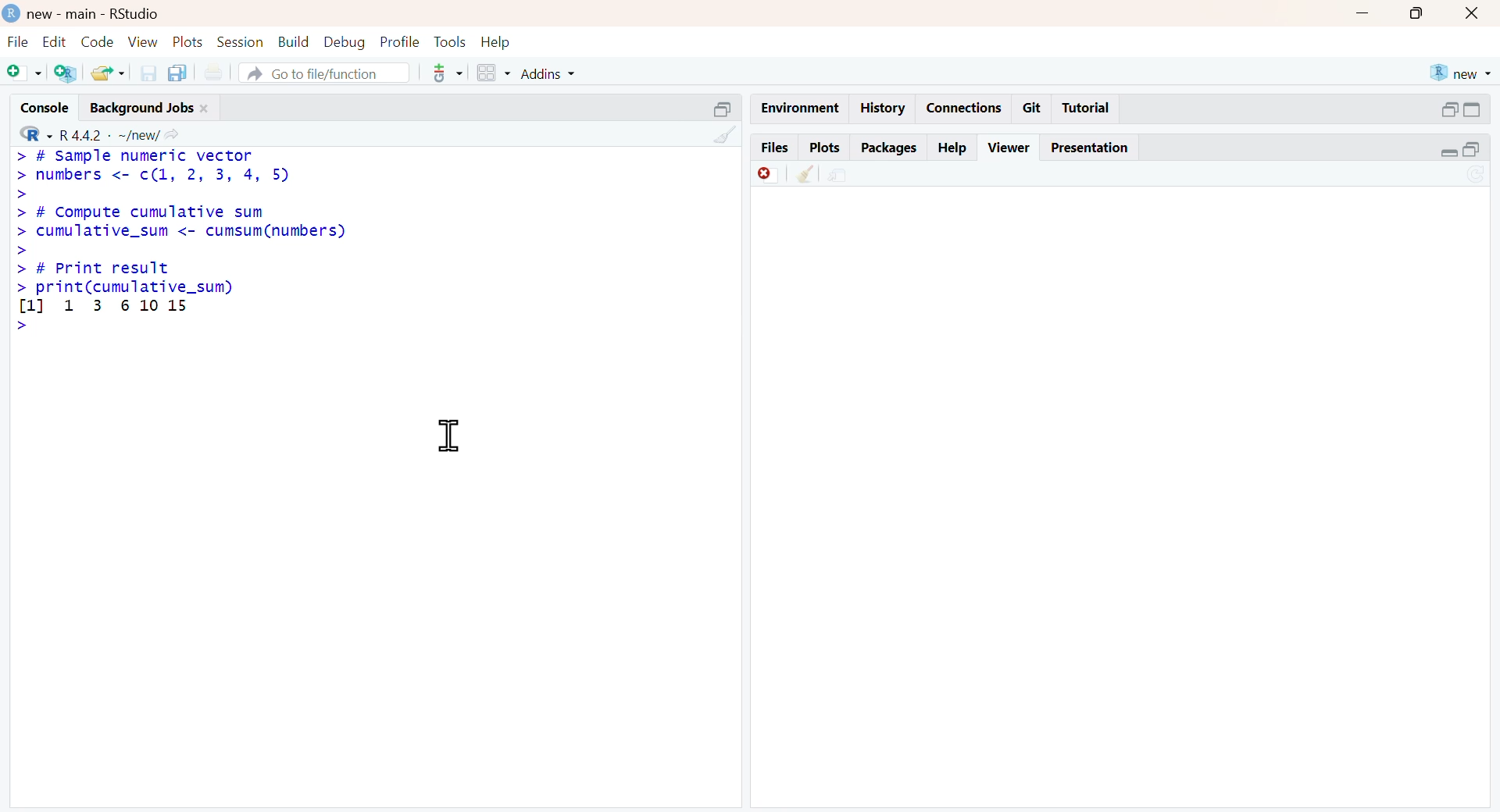 The height and width of the screenshot is (812, 1500). Describe the element at coordinates (450, 41) in the screenshot. I see `tools` at that location.